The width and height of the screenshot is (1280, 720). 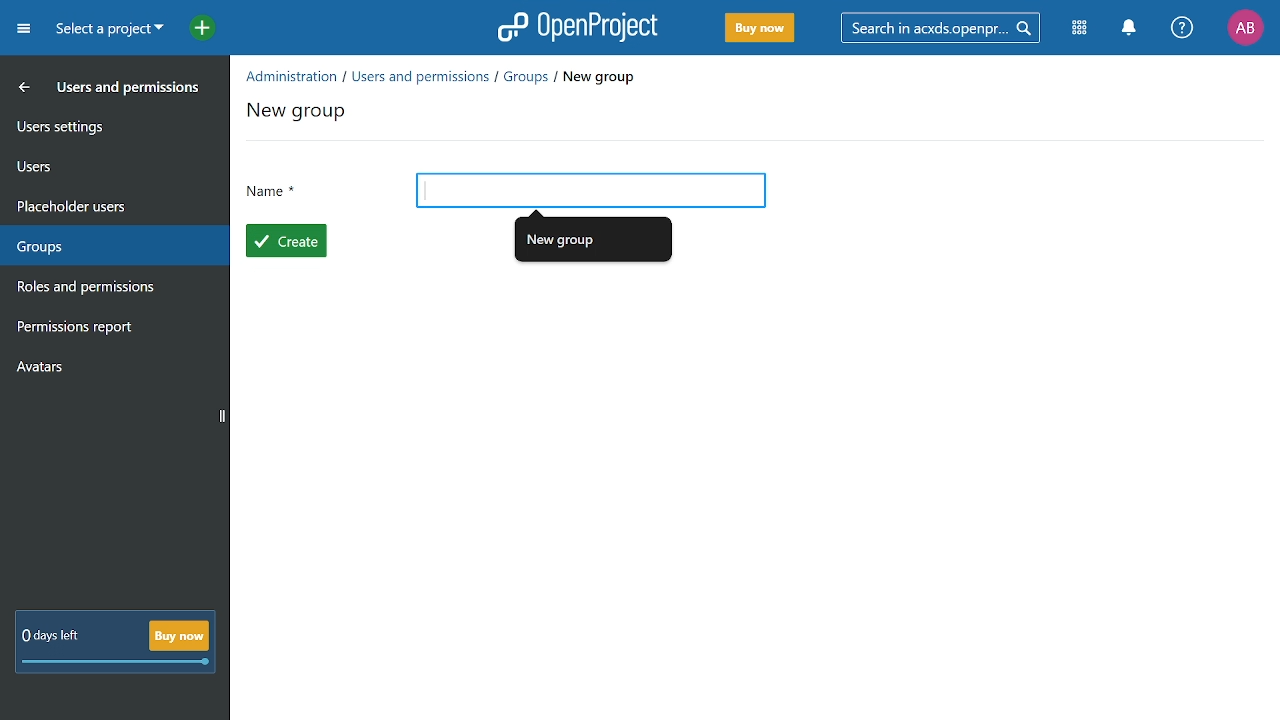 I want to click on Name *, so click(x=274, y=193).